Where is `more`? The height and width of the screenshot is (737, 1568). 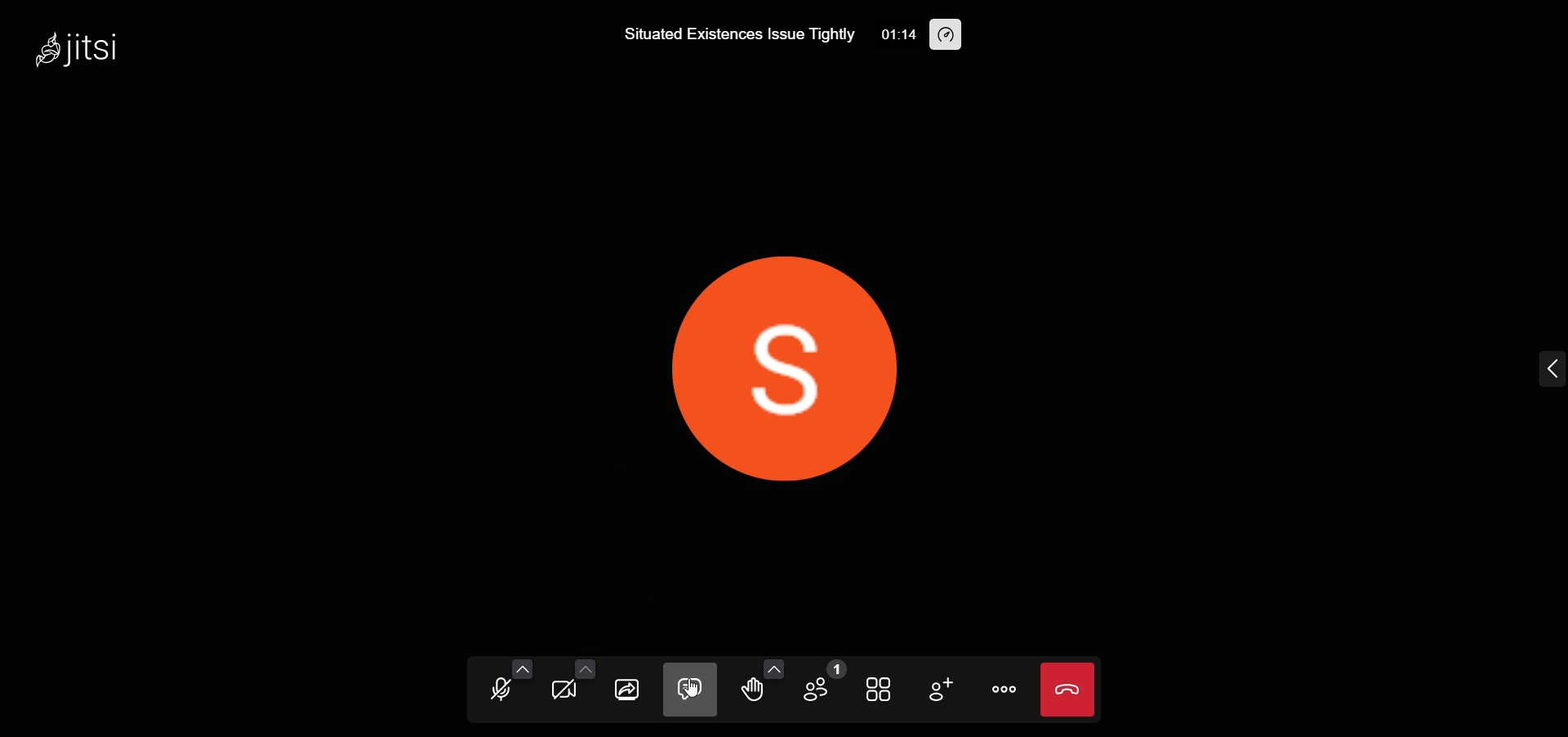
more is located at coordinates (1004, 692).